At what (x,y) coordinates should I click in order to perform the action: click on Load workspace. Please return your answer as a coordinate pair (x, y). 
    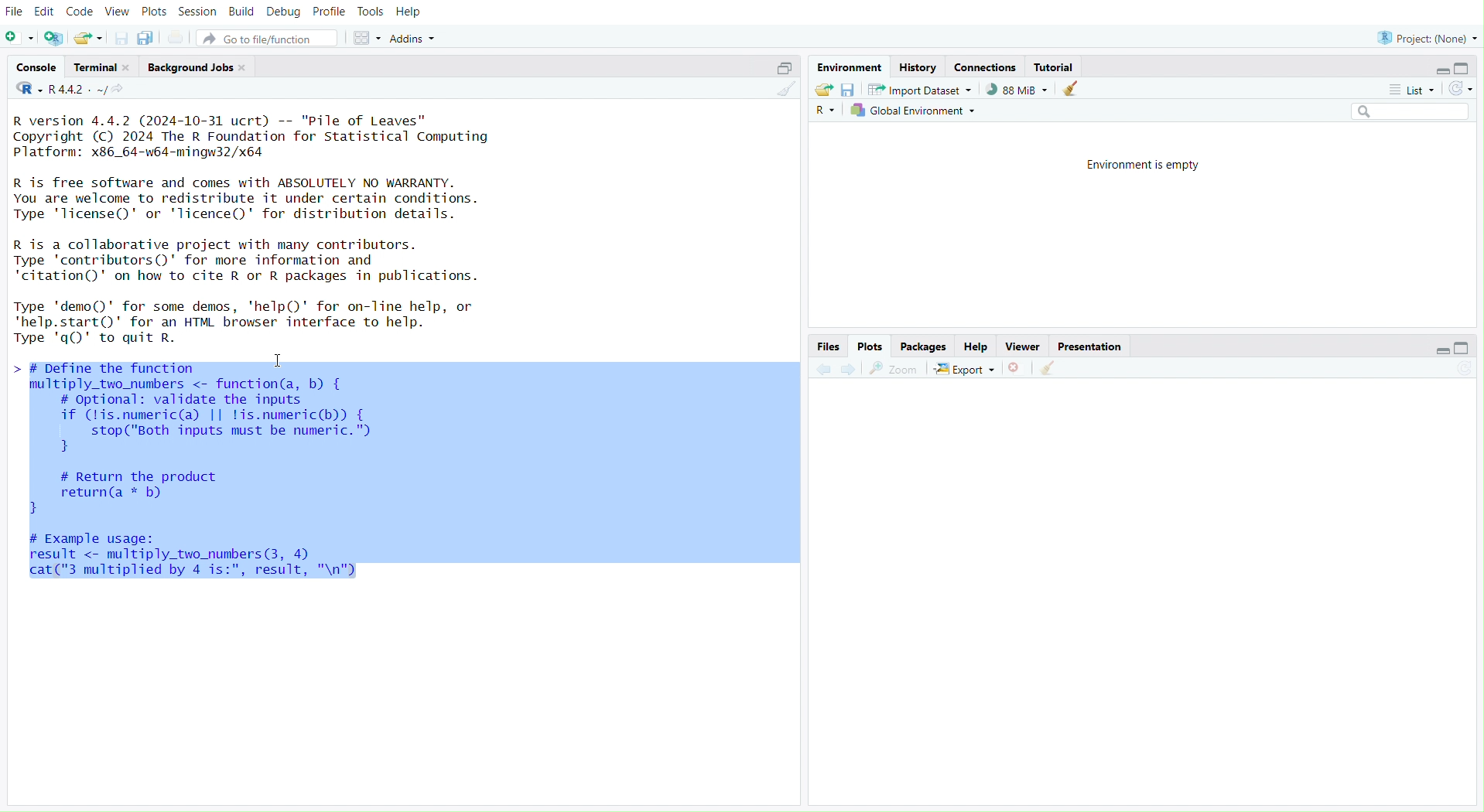
    Looking at the image, I should click on (824, 88).